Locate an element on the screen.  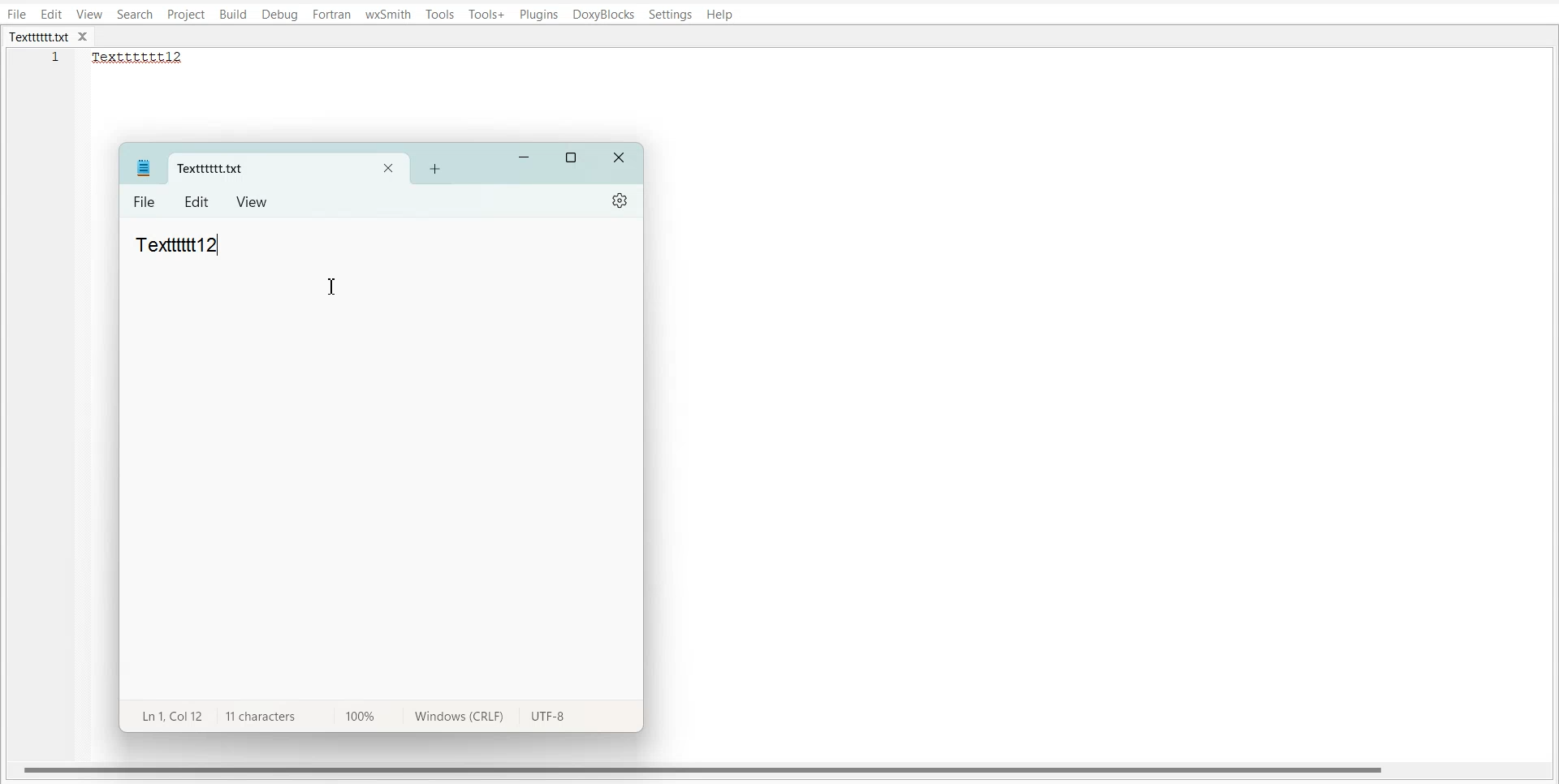
100% is located at coordinates (356, 715).